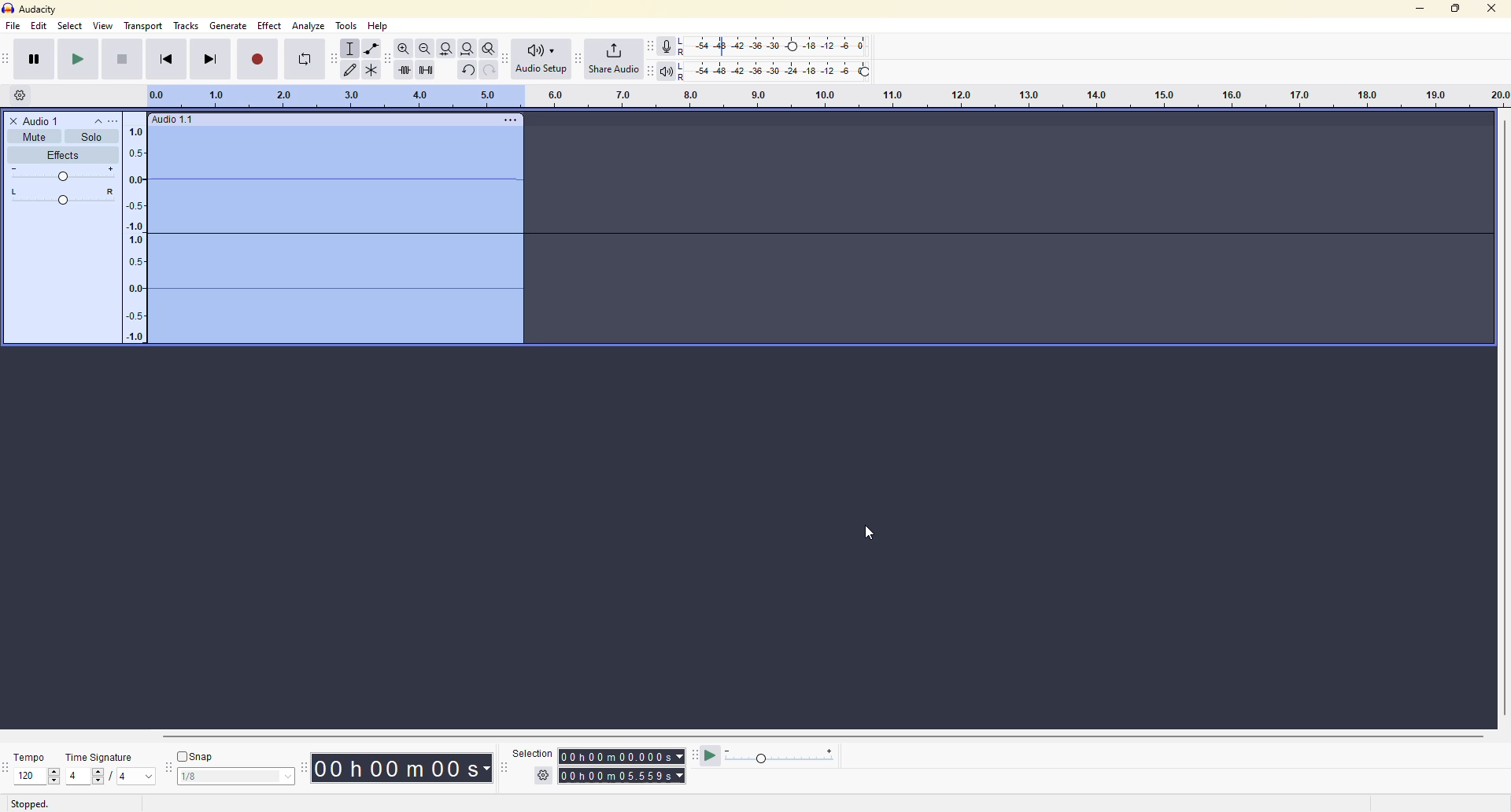  Describe the element at coordinates (144, 25) in the screenshot. I see `transport` at that location.